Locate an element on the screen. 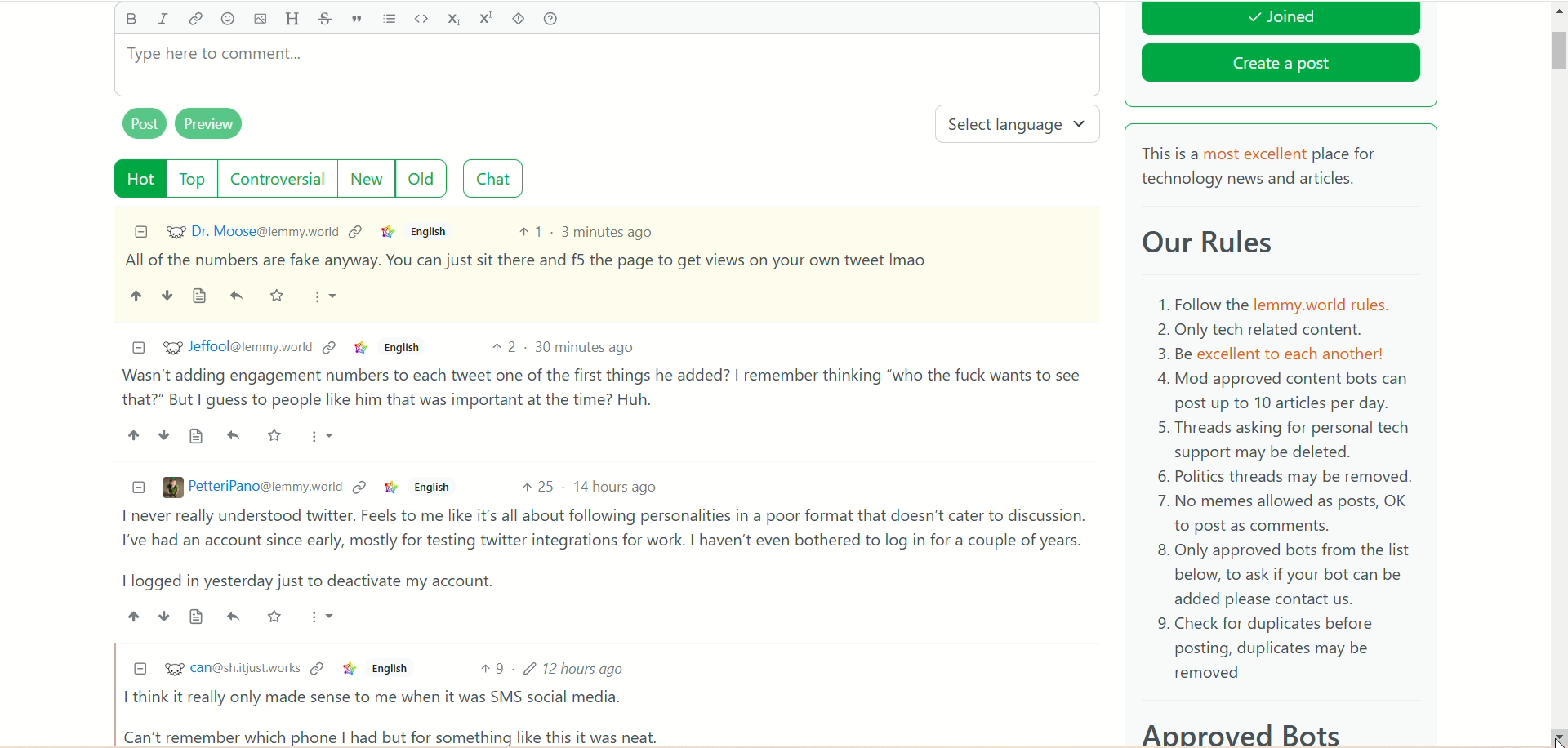  link is located at coordinates (195, 22).